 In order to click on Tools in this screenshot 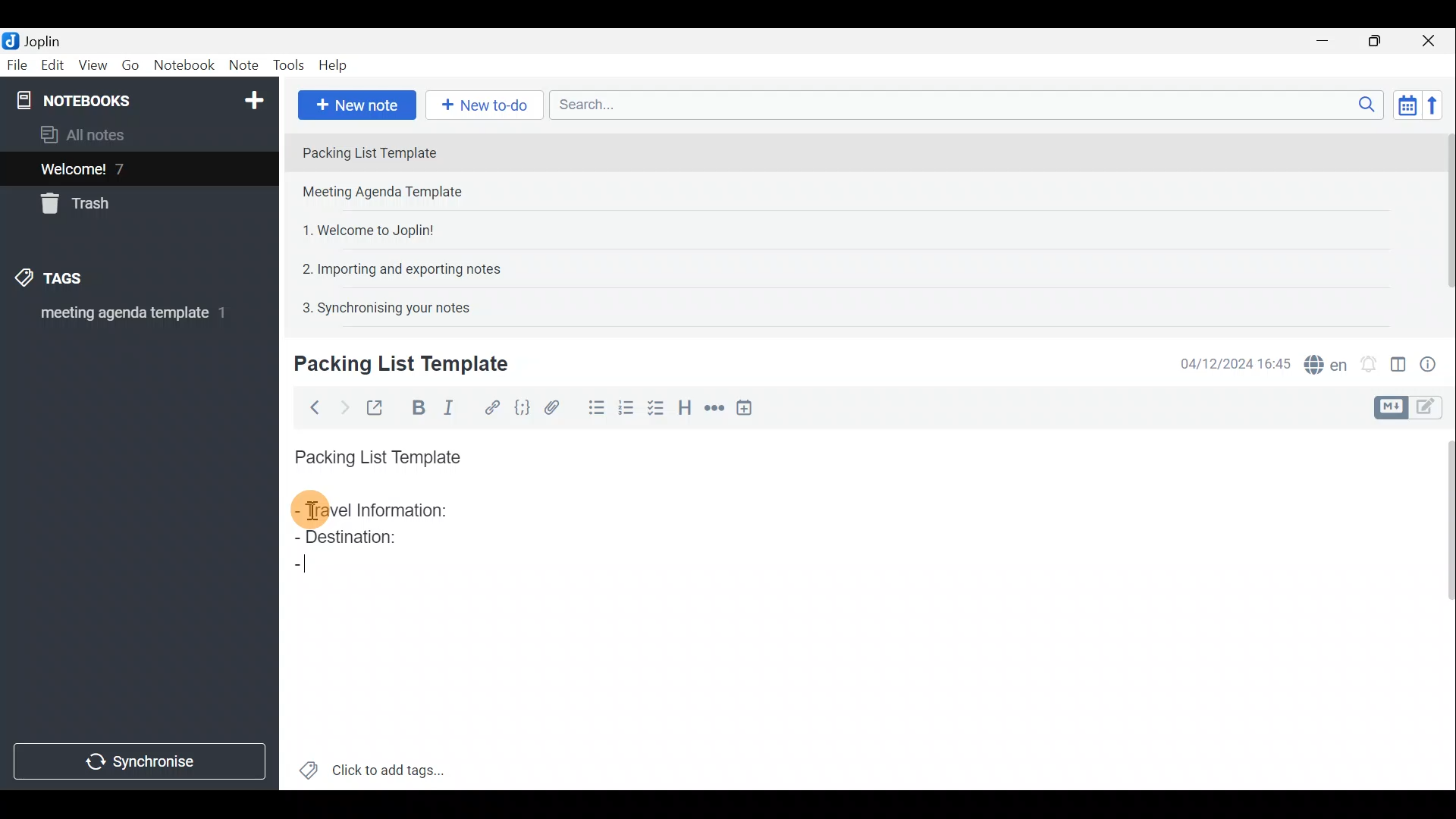, I will do `click(290, 66)`.